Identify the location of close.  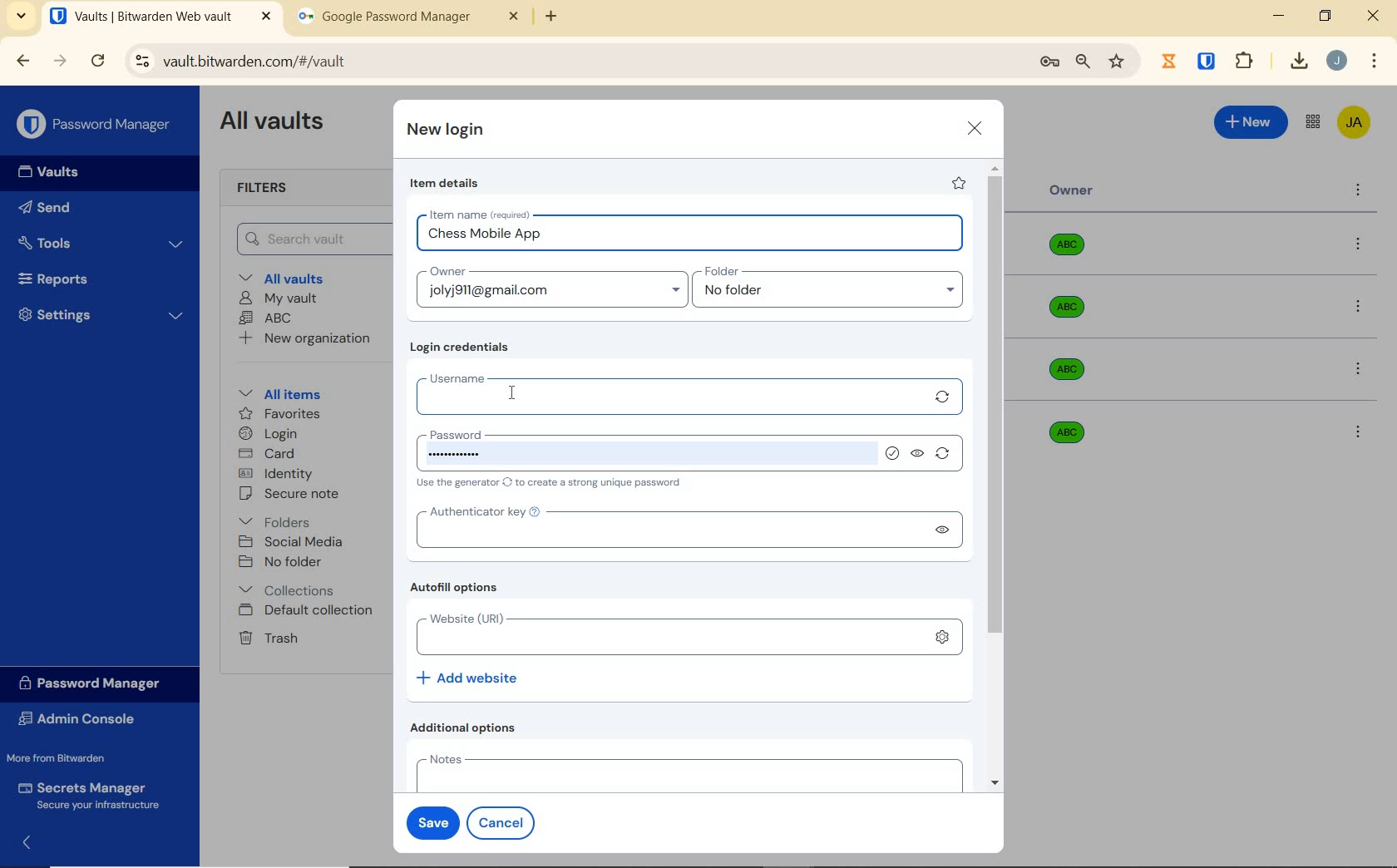
(1375, 16).